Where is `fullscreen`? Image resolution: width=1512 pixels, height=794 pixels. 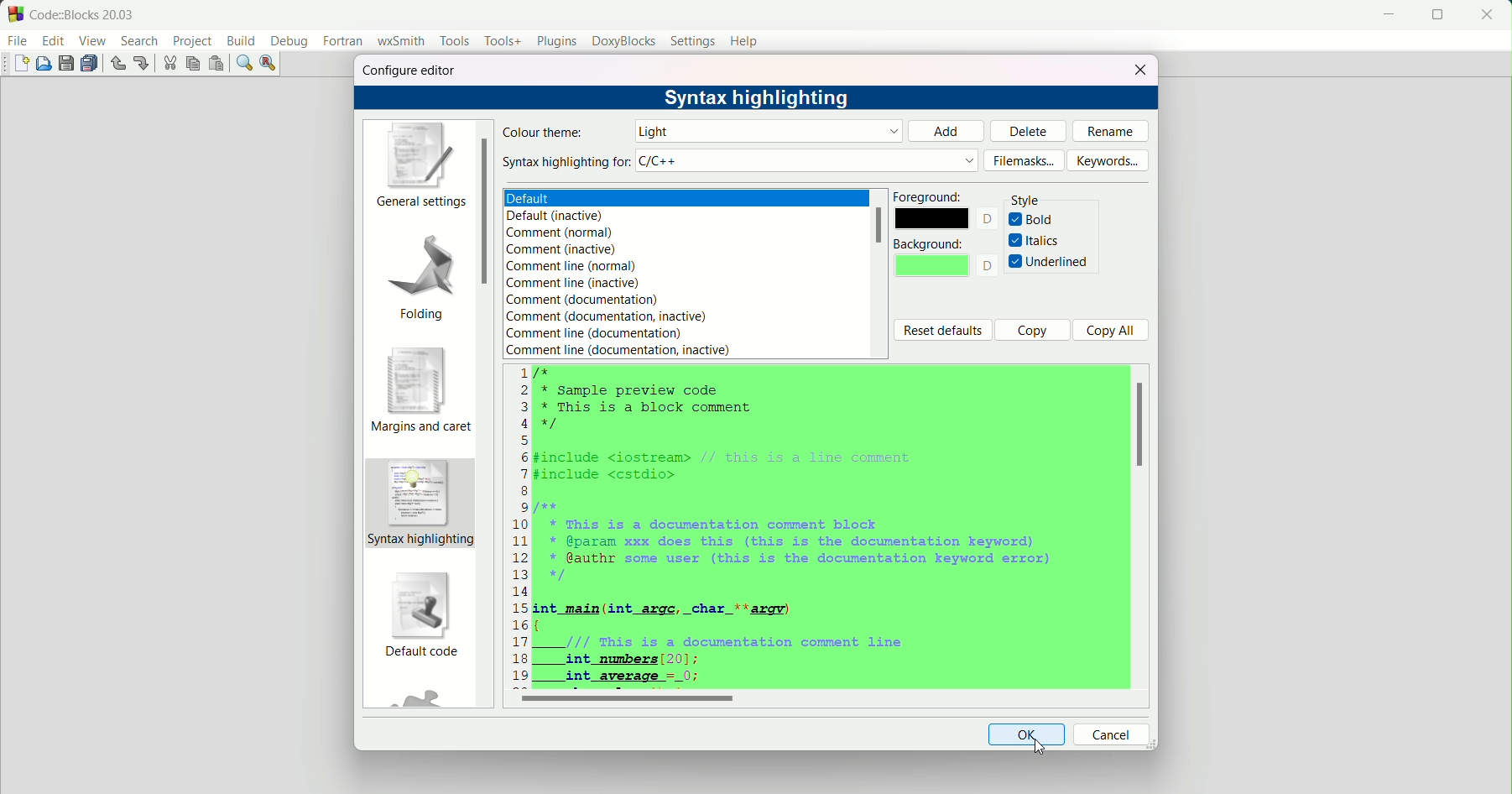
fullscreen is located at coordinates (1437, 15).